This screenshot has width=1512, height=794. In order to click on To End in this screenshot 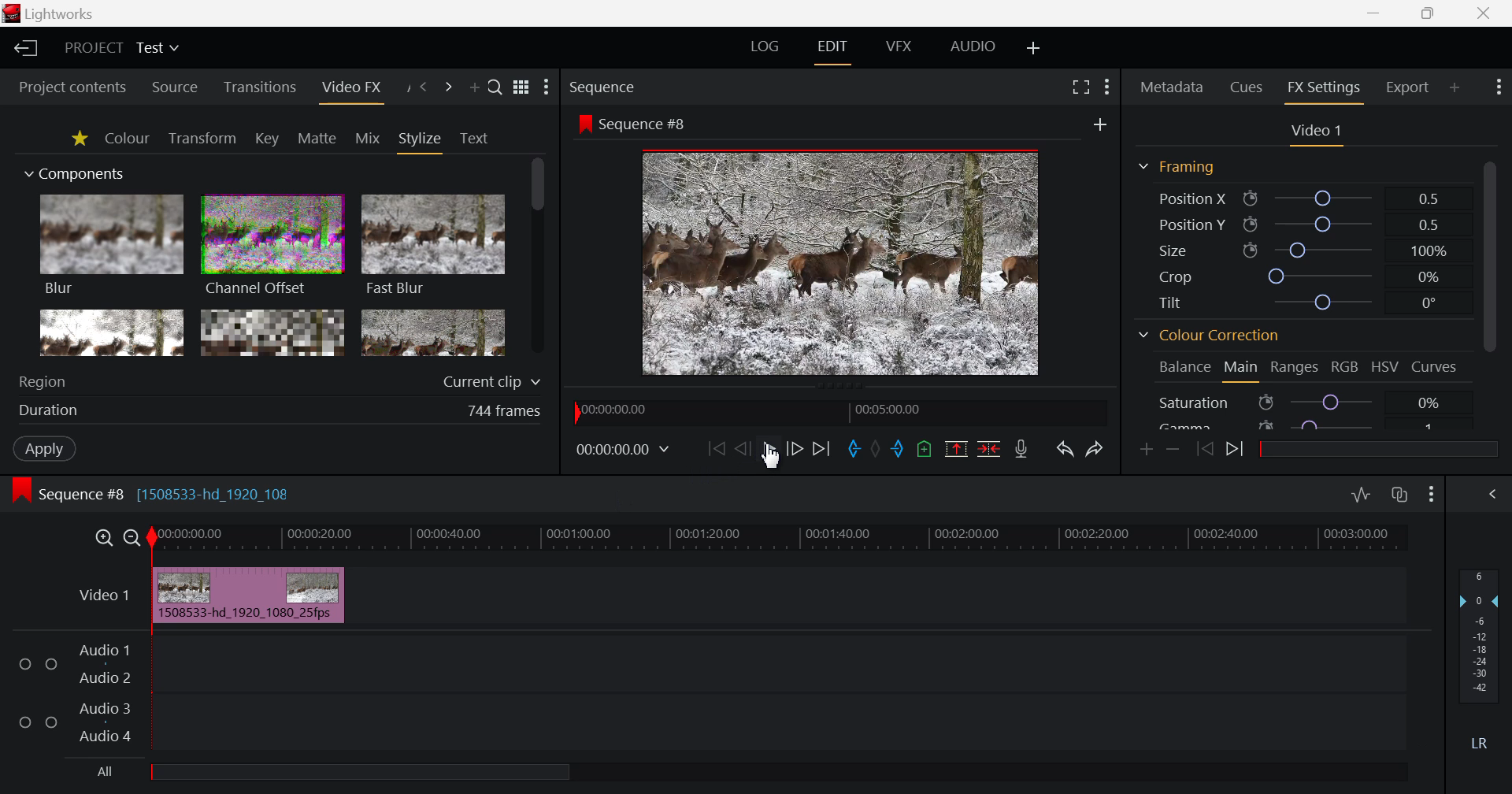, I will do `click(821, 450)`.